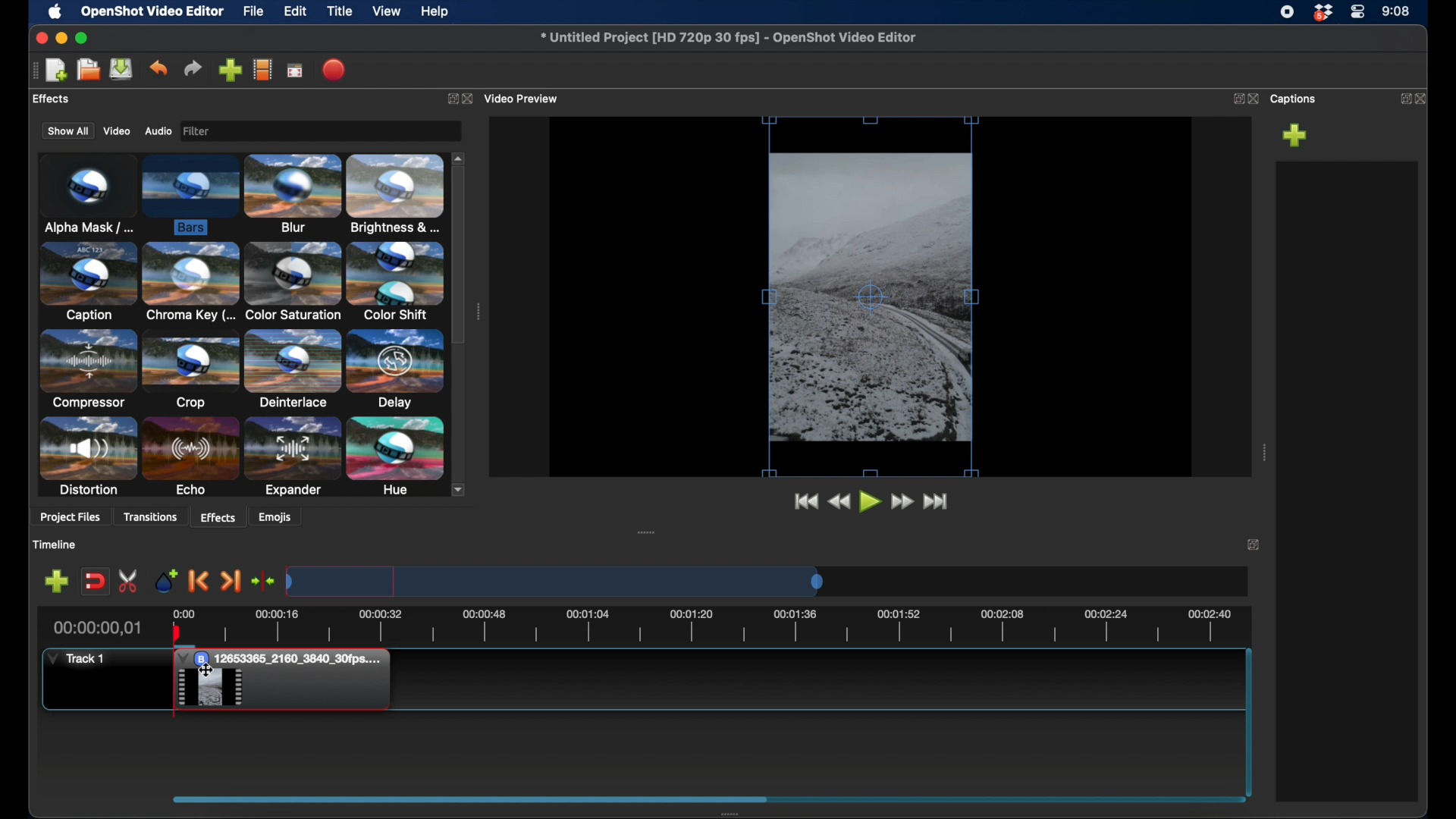 This screenshot has height=819, width=1456. Describe the element at coordinates (869, 460) in the screenshot. I see `bottom bar` at that location.